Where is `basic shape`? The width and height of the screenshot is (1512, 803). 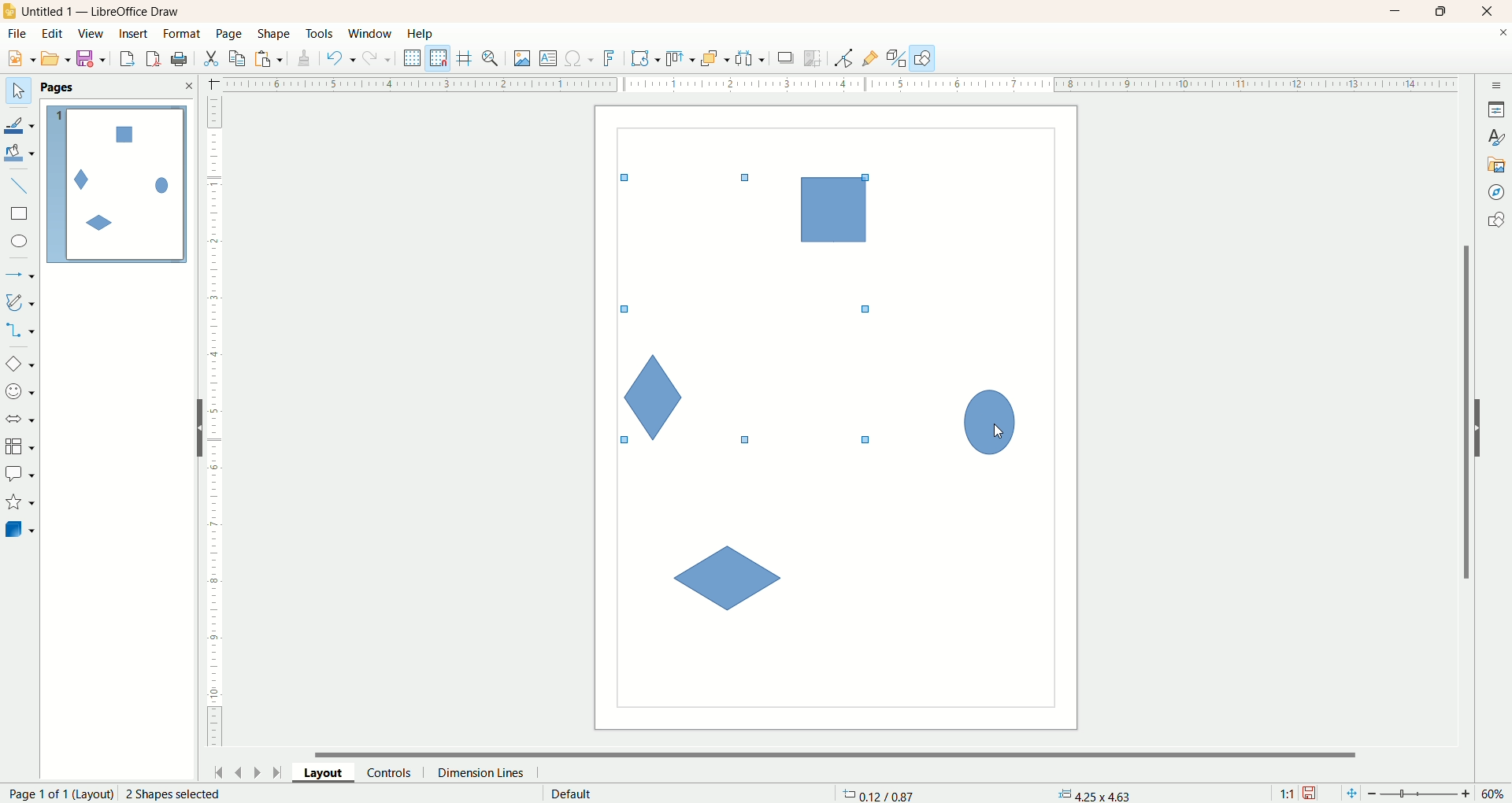 basic shape is located at coordinates (19, 363).